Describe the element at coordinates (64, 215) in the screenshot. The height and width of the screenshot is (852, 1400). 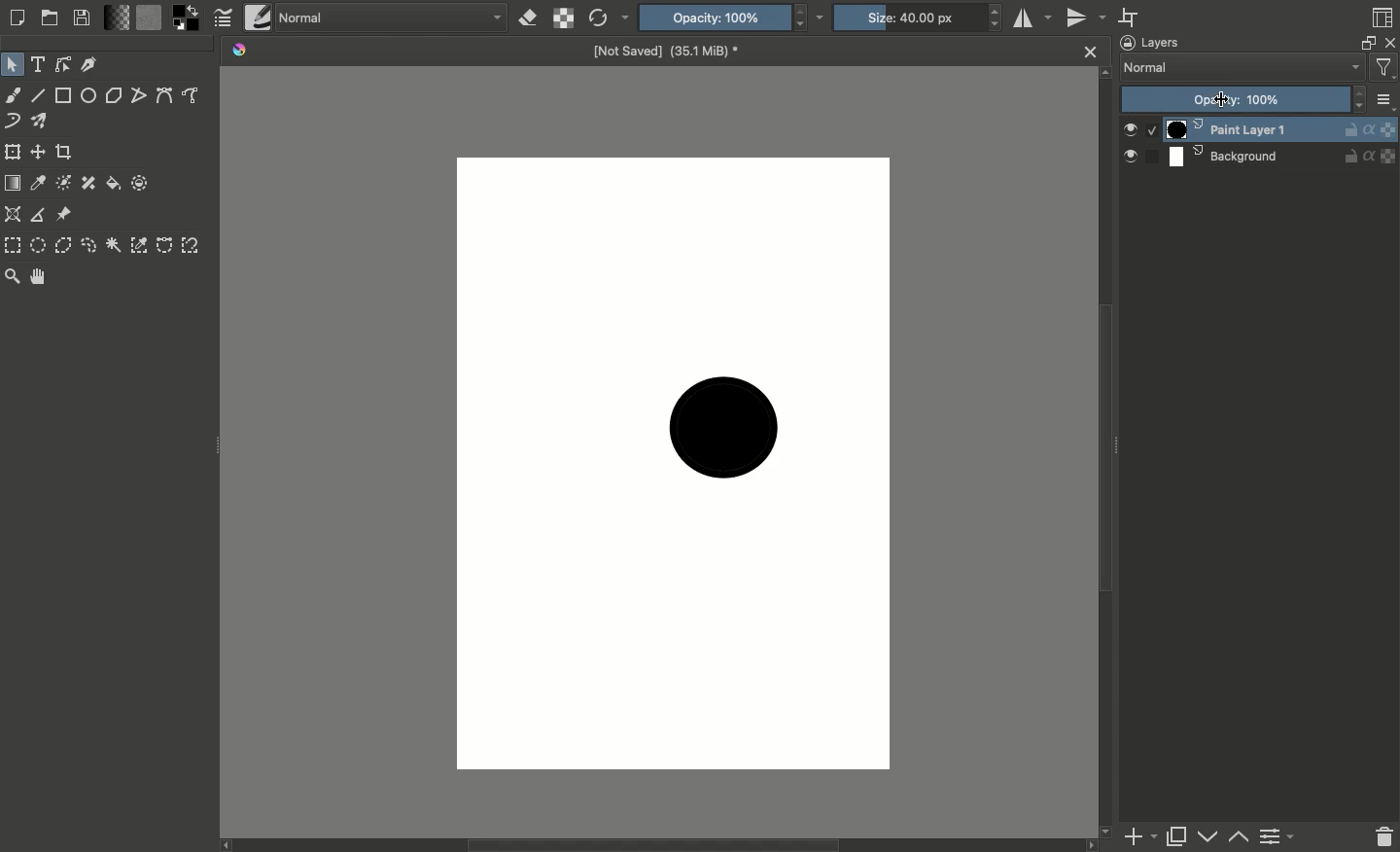
I see `Referenece image tool` at that location.